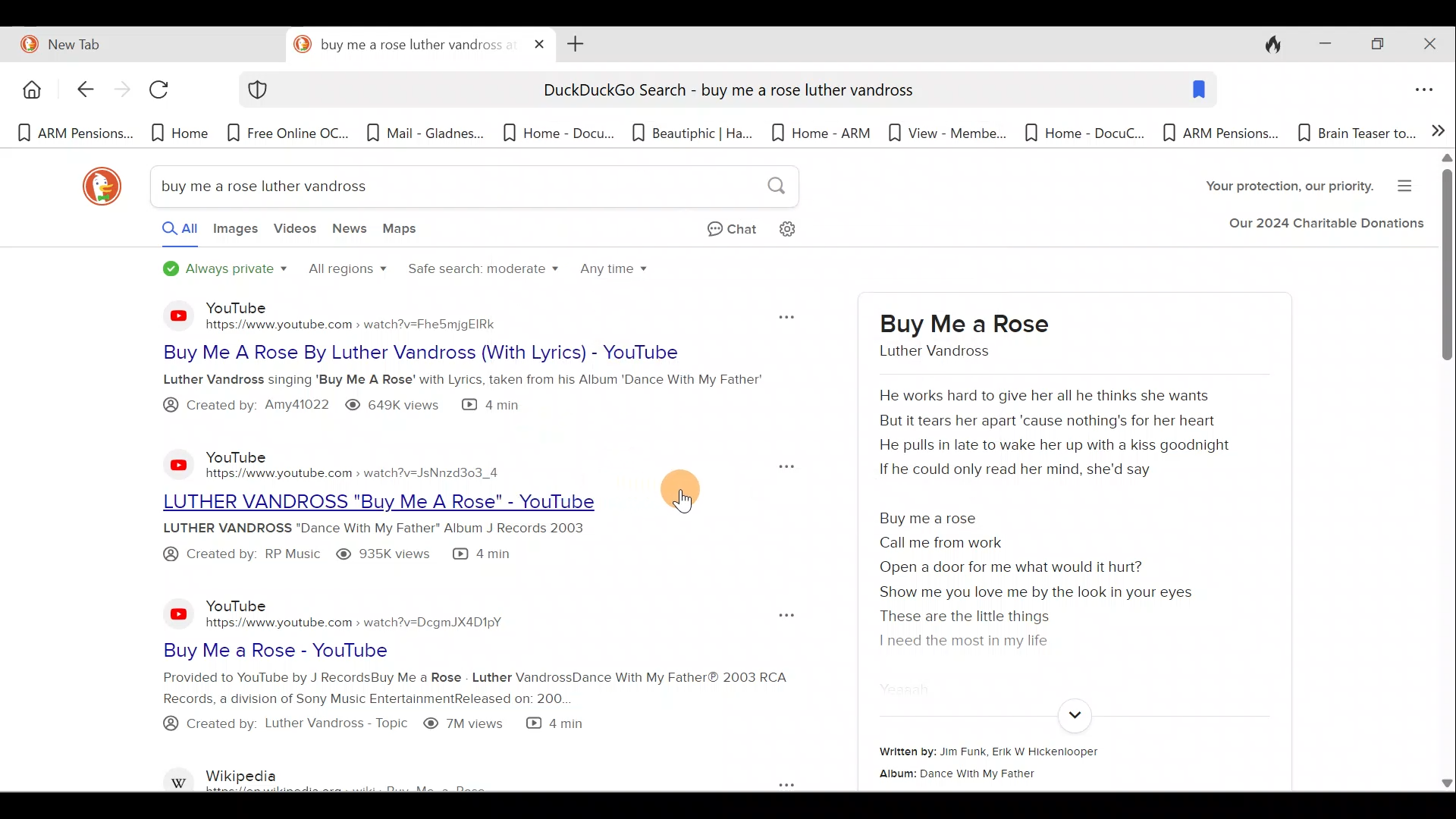  Describe the element at coordinates (1072, 716) in the screenshot. I see `Expand` at that location.